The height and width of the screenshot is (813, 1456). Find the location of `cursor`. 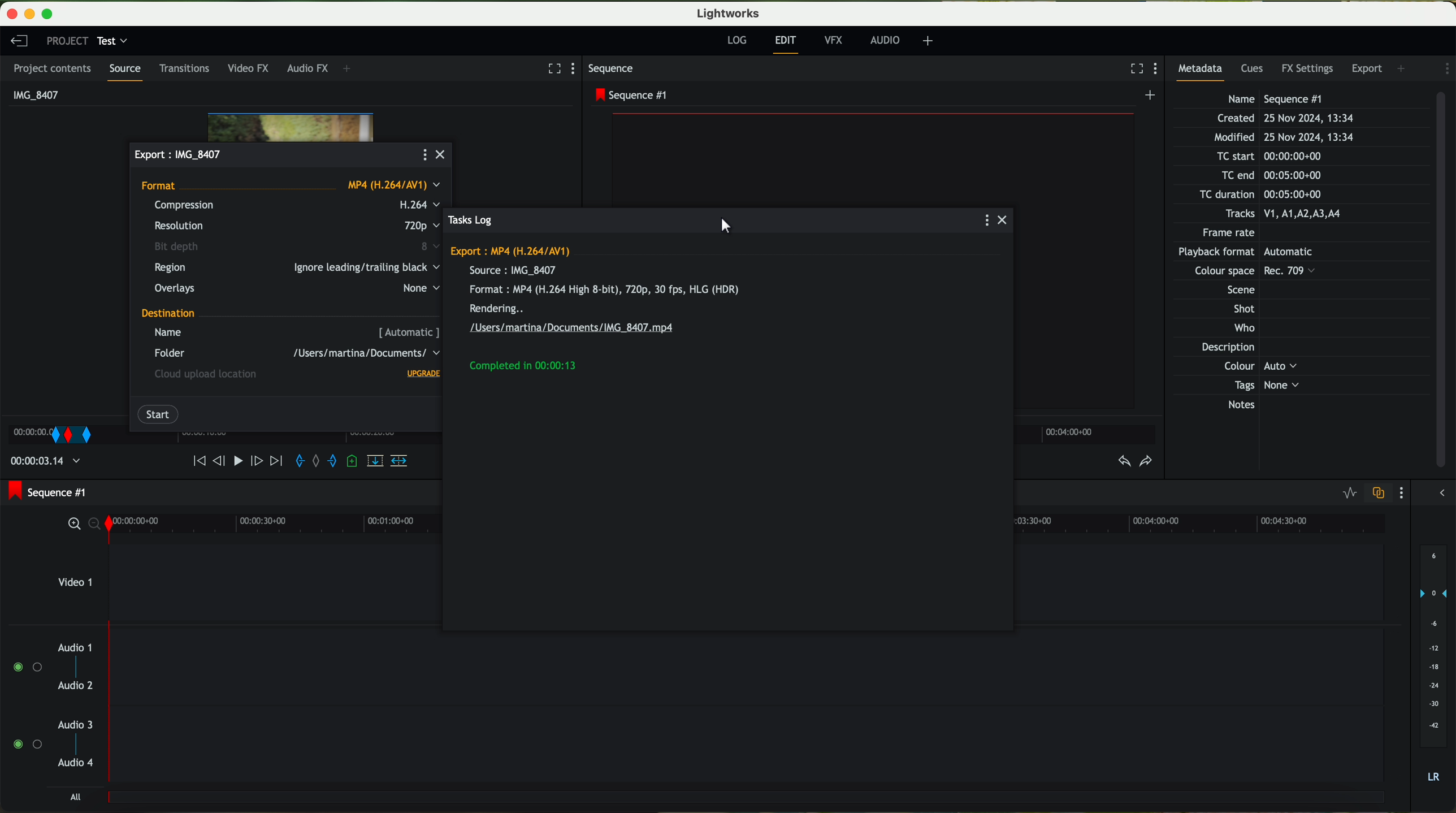

cursor is located at coordinates (725, 225).